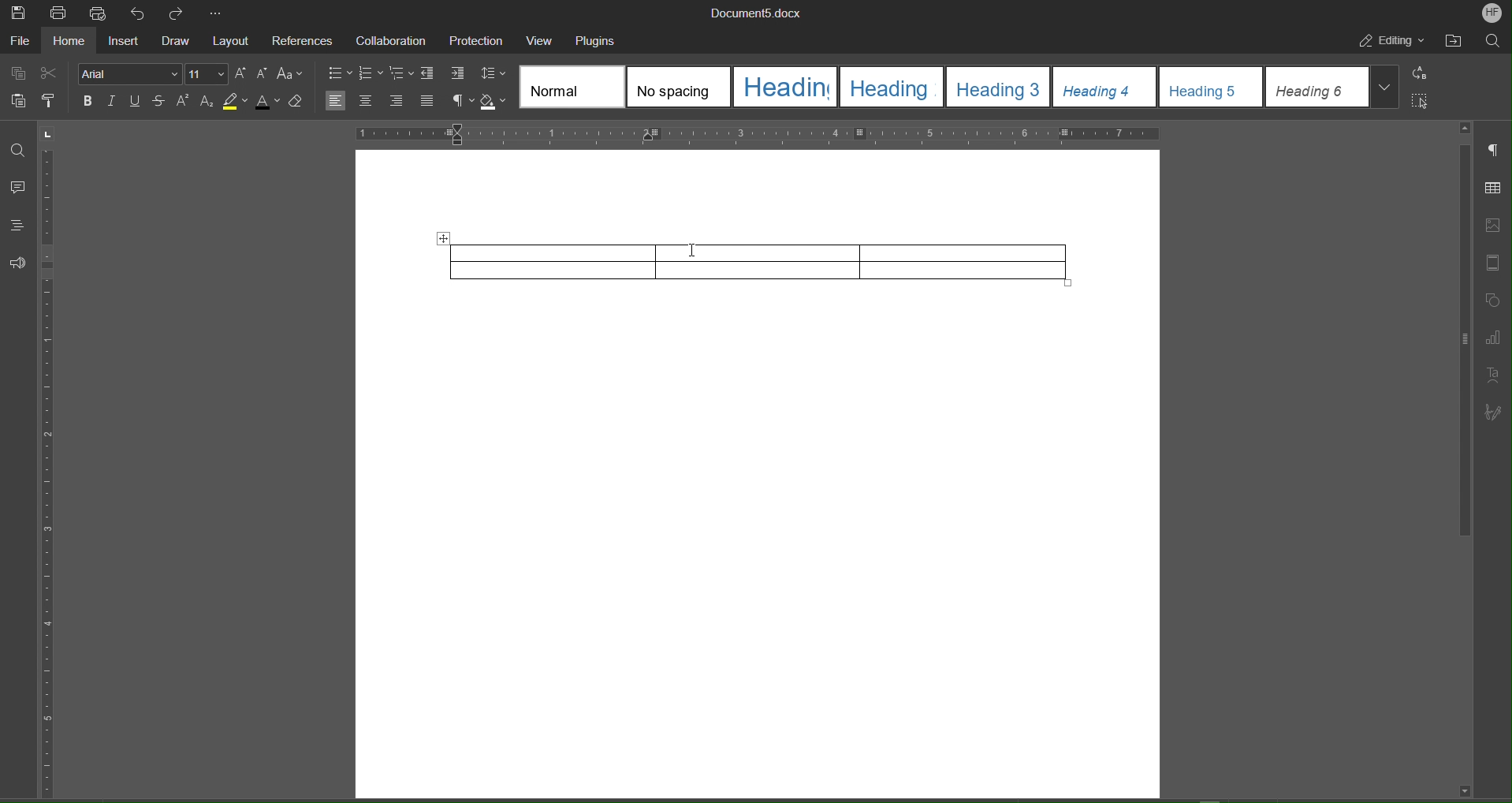 This screenshot has height=803, width=1512. What do you see at coordinates (18, 263) in the screenshot?
I see `Feedback and Support` at bounding box center [18, 263].